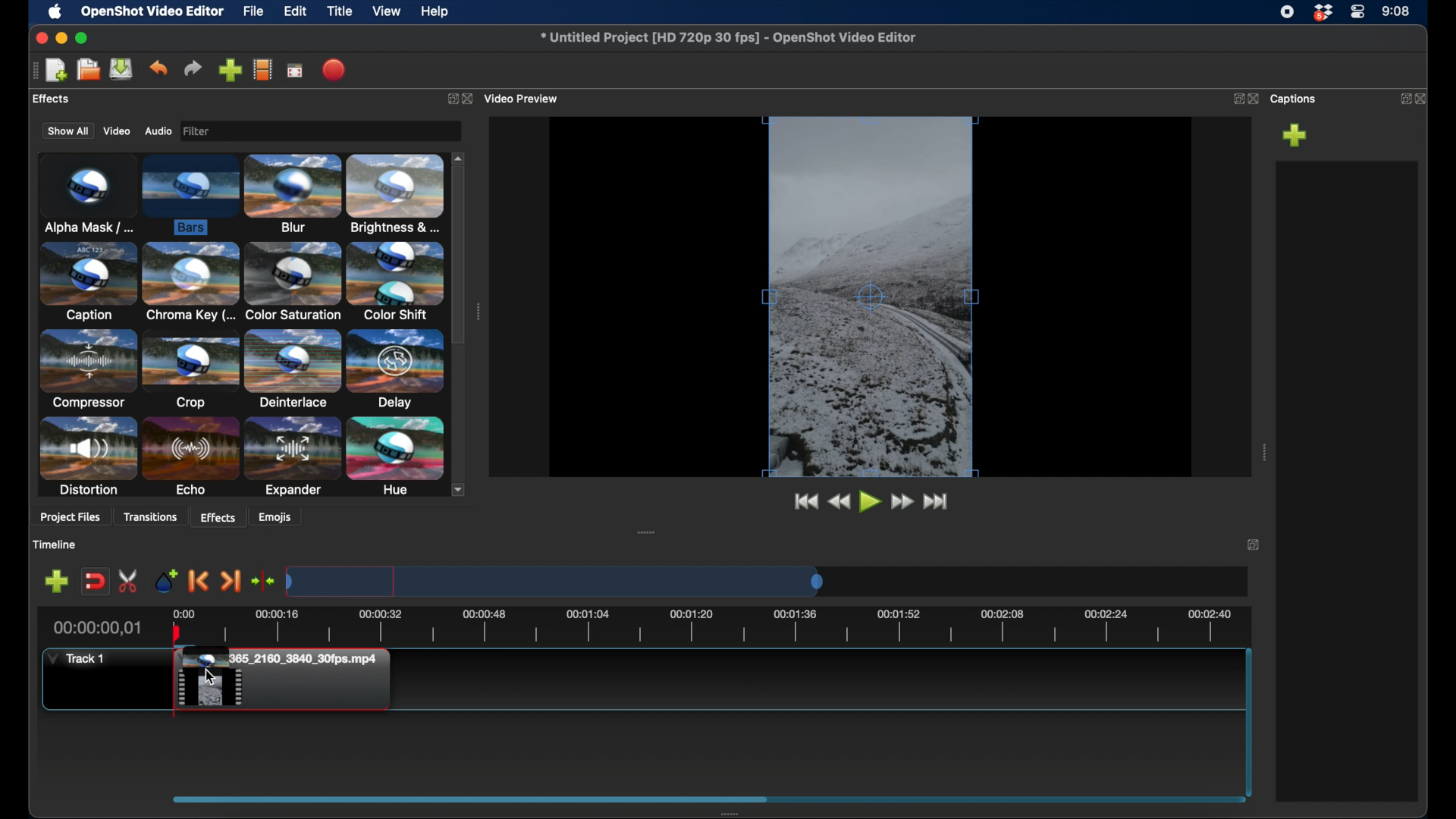 This screenshot has width=1456, height=819. I want to click on color saturation, so click(293, 282).